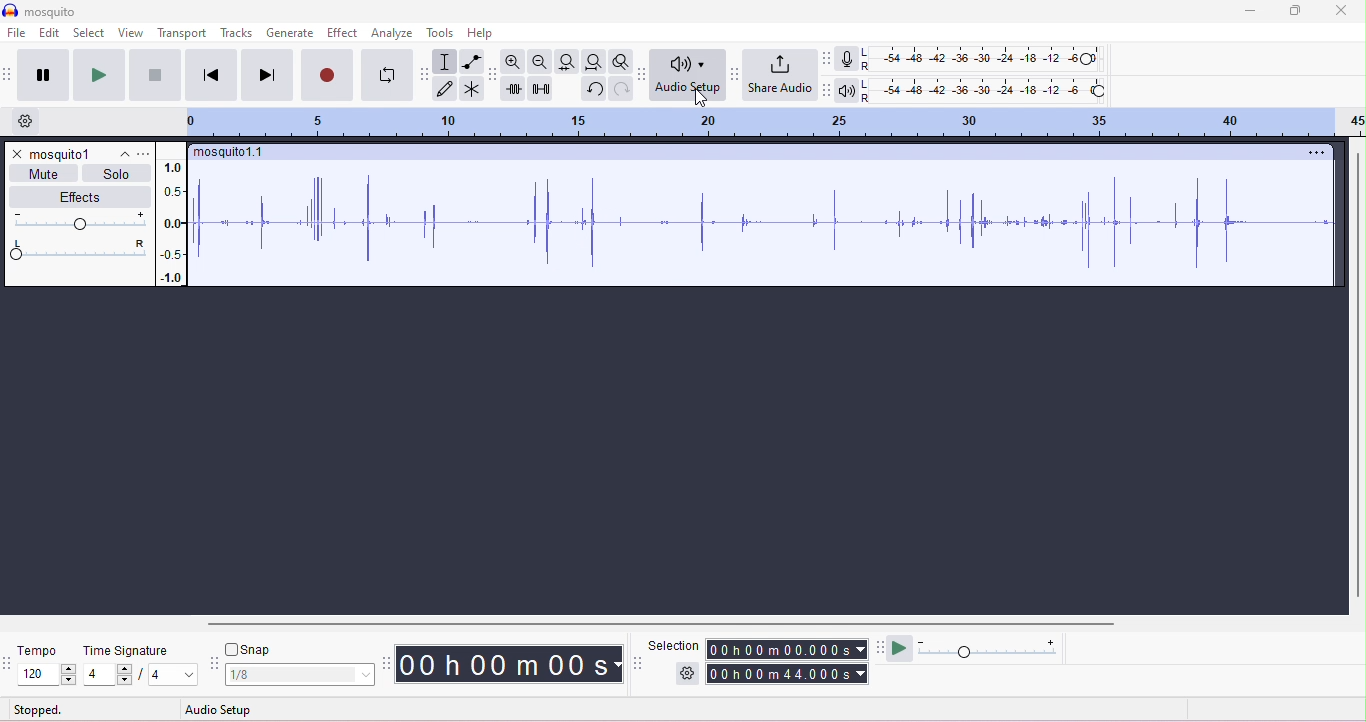 The width and height of the screenshot is (1366, 722). Describe the element at coordinates (46, 173) in the screenshot. I see `mute` at that location.